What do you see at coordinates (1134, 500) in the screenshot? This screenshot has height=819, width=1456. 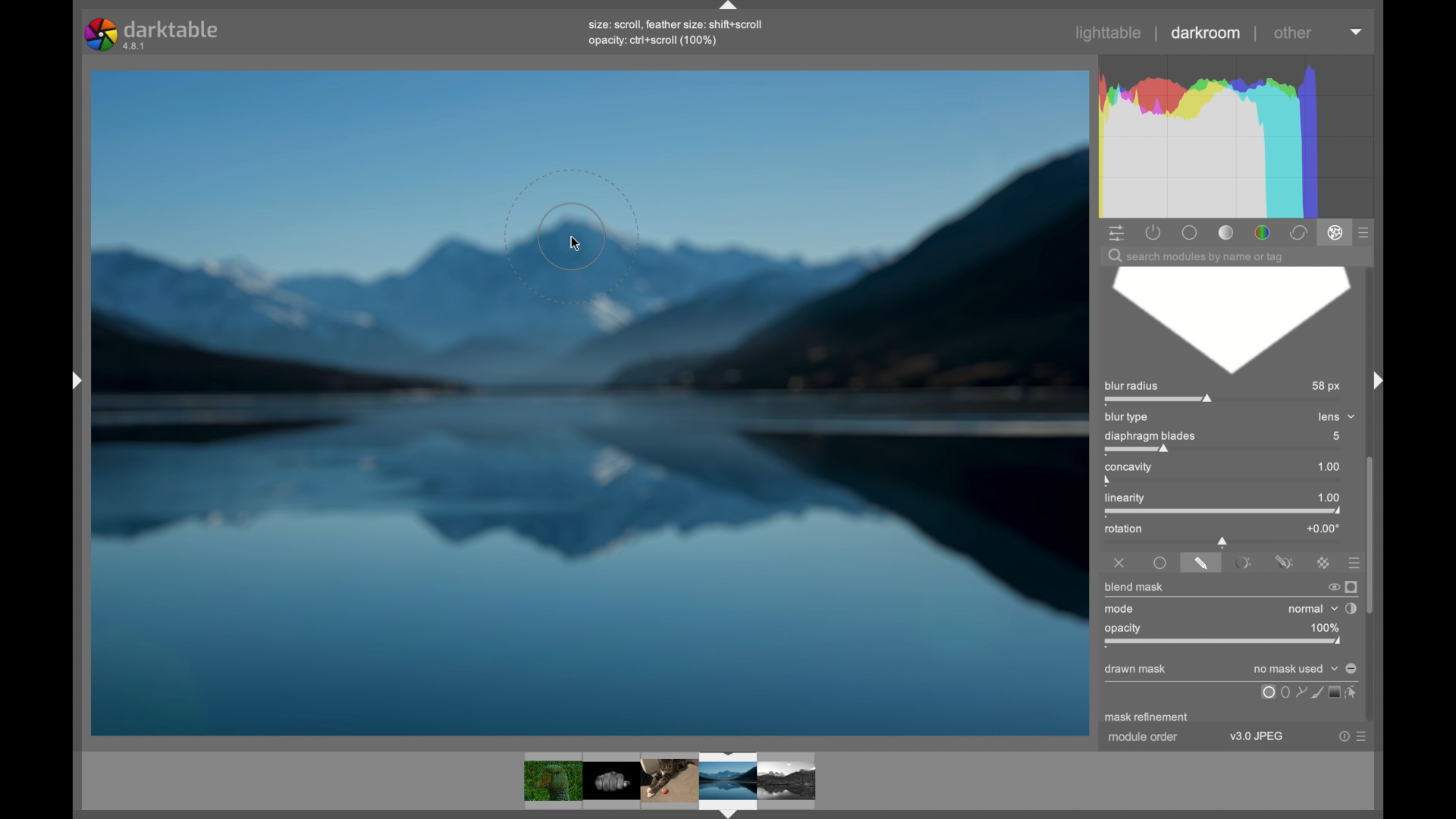 I see `linearity` at bounding box center [1134, 500].